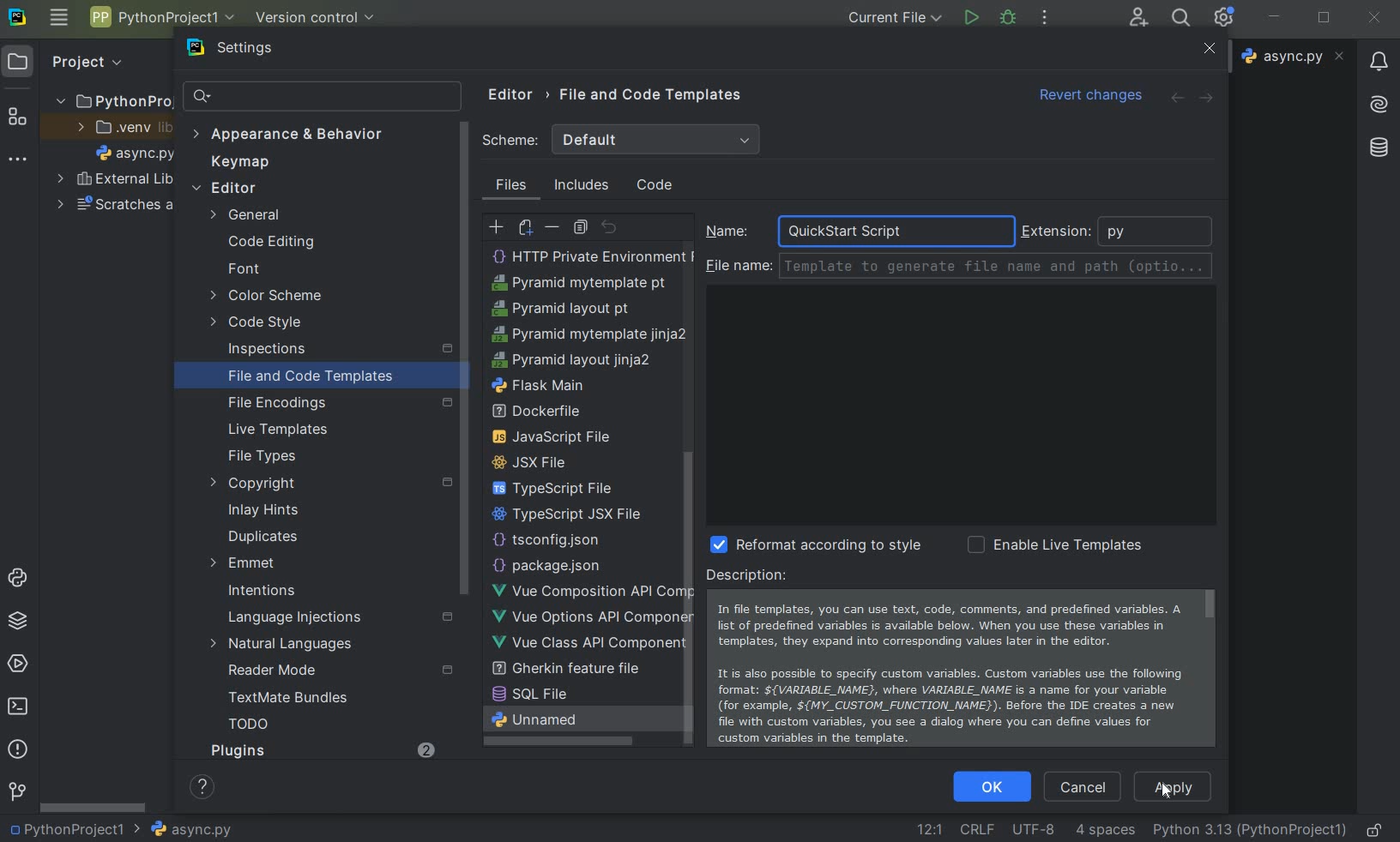  What do you see at coordinates (591, 614) in the screenshot?
I see `HTTP Private Environment` at bounding box center [591, 614].